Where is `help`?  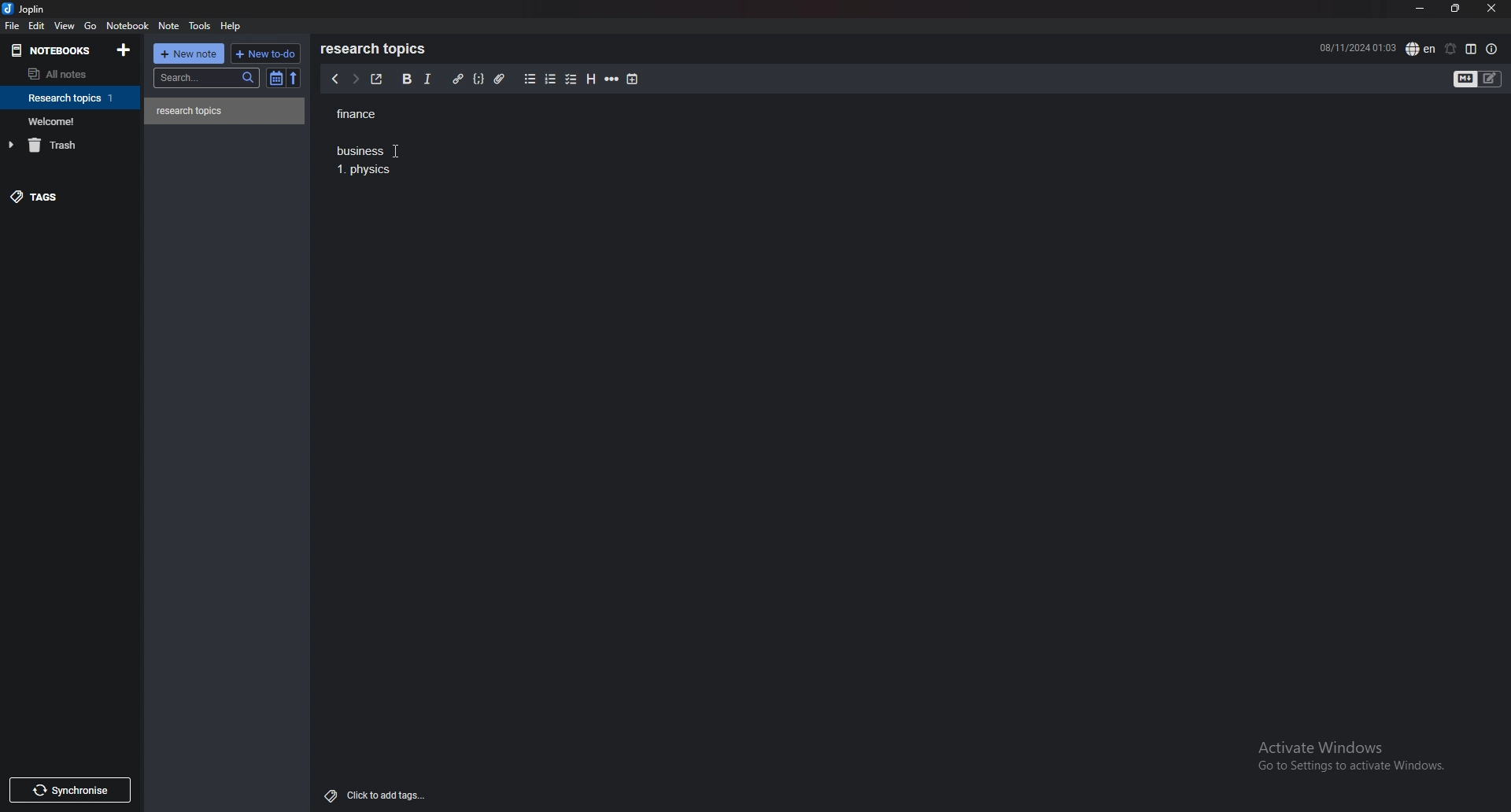
help is located at coordinates (233, 25).